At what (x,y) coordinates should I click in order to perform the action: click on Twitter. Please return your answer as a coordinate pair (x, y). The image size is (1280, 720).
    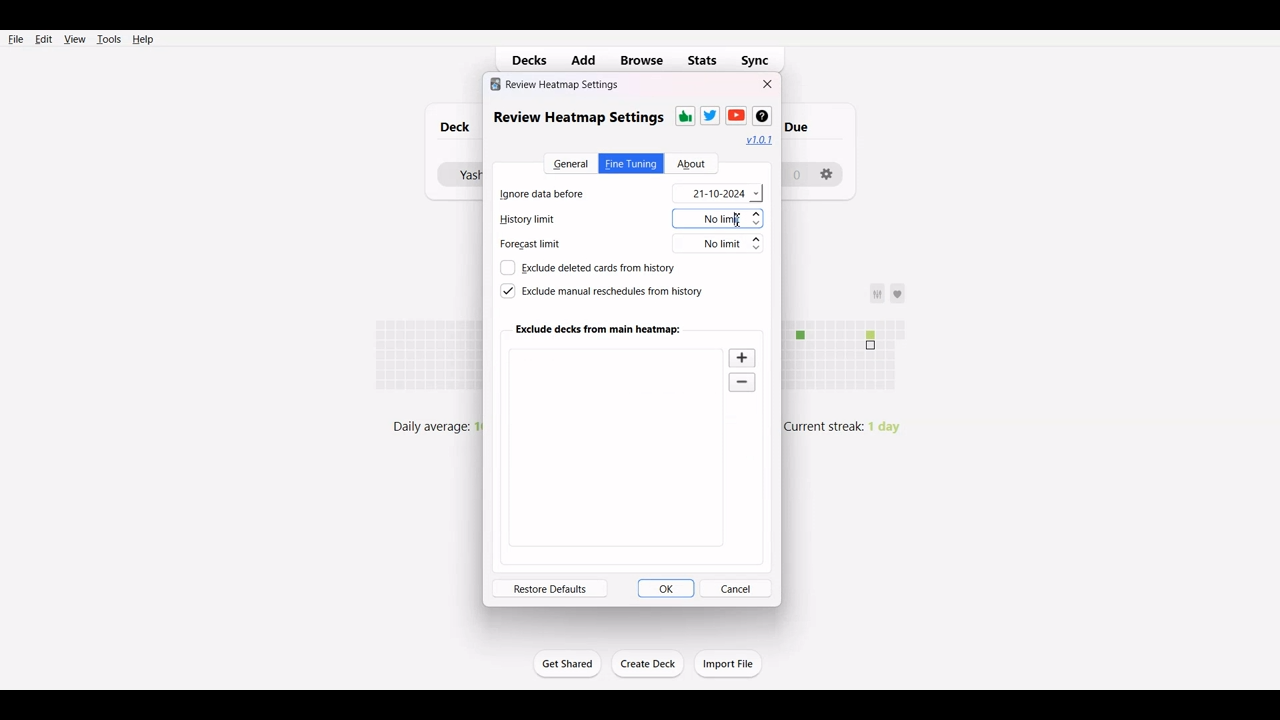
    Looking at the image, I should click on (710, 115).